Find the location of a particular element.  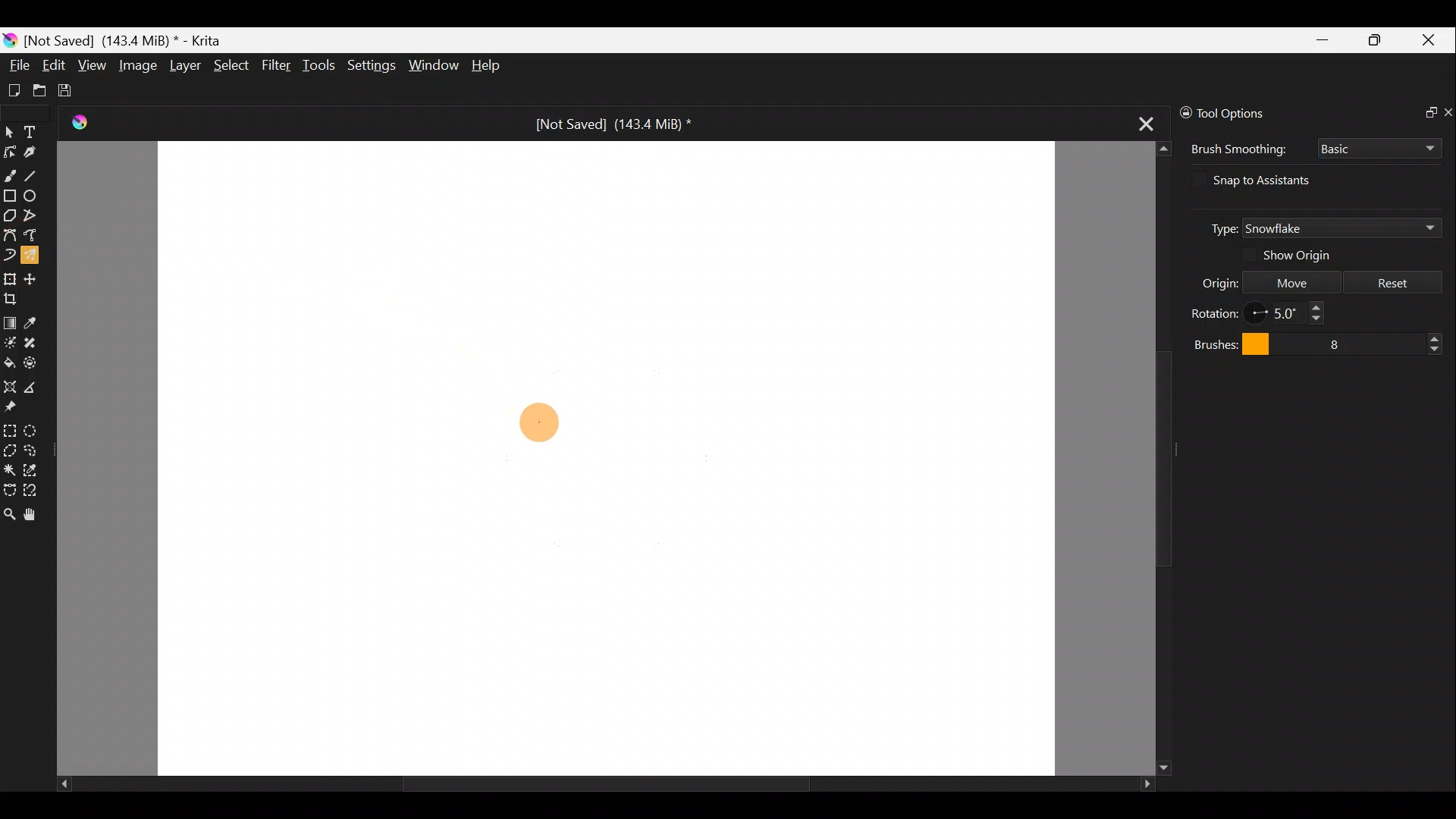

Layer is located at coordinates (183, 65).